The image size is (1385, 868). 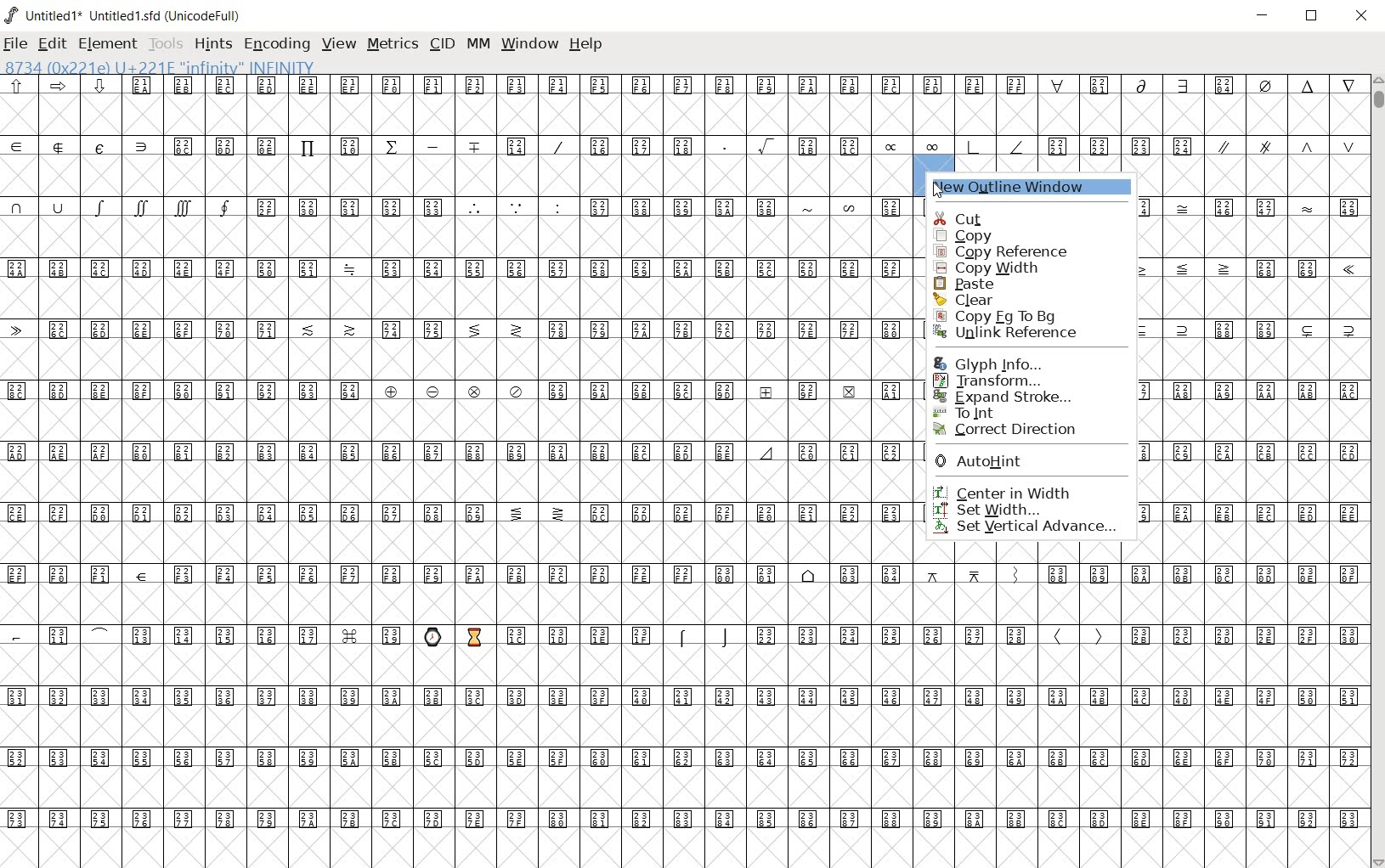 What do you see at coordinates (341, 43) in the screenshot?
I see `view` at bounding box center [341, 43].